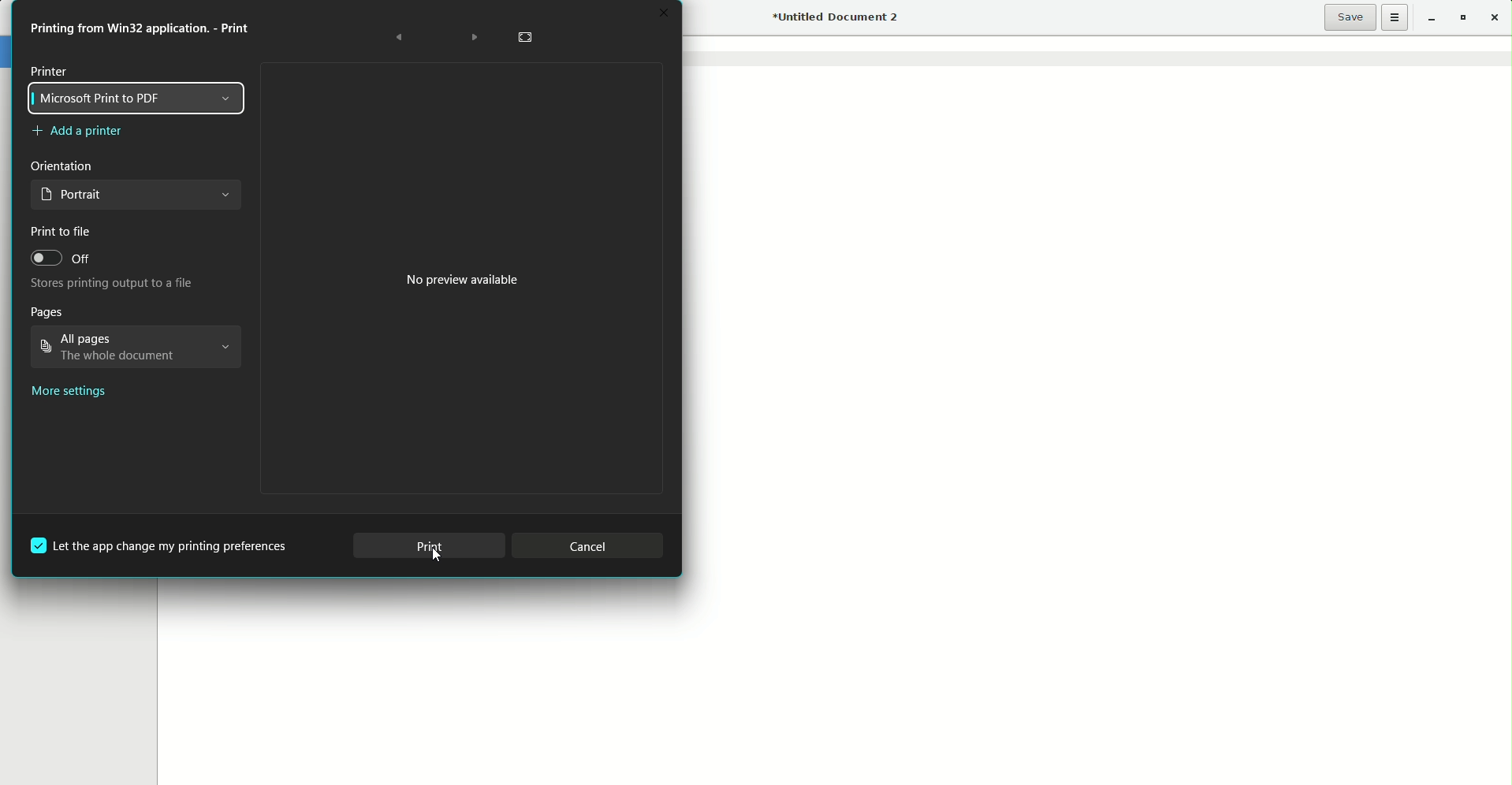 This screenshot has width=1512, height=785. What do you see at coordinates (471, 35) in the screenshot?
I see `Next page` at bounding box center [471, 35].